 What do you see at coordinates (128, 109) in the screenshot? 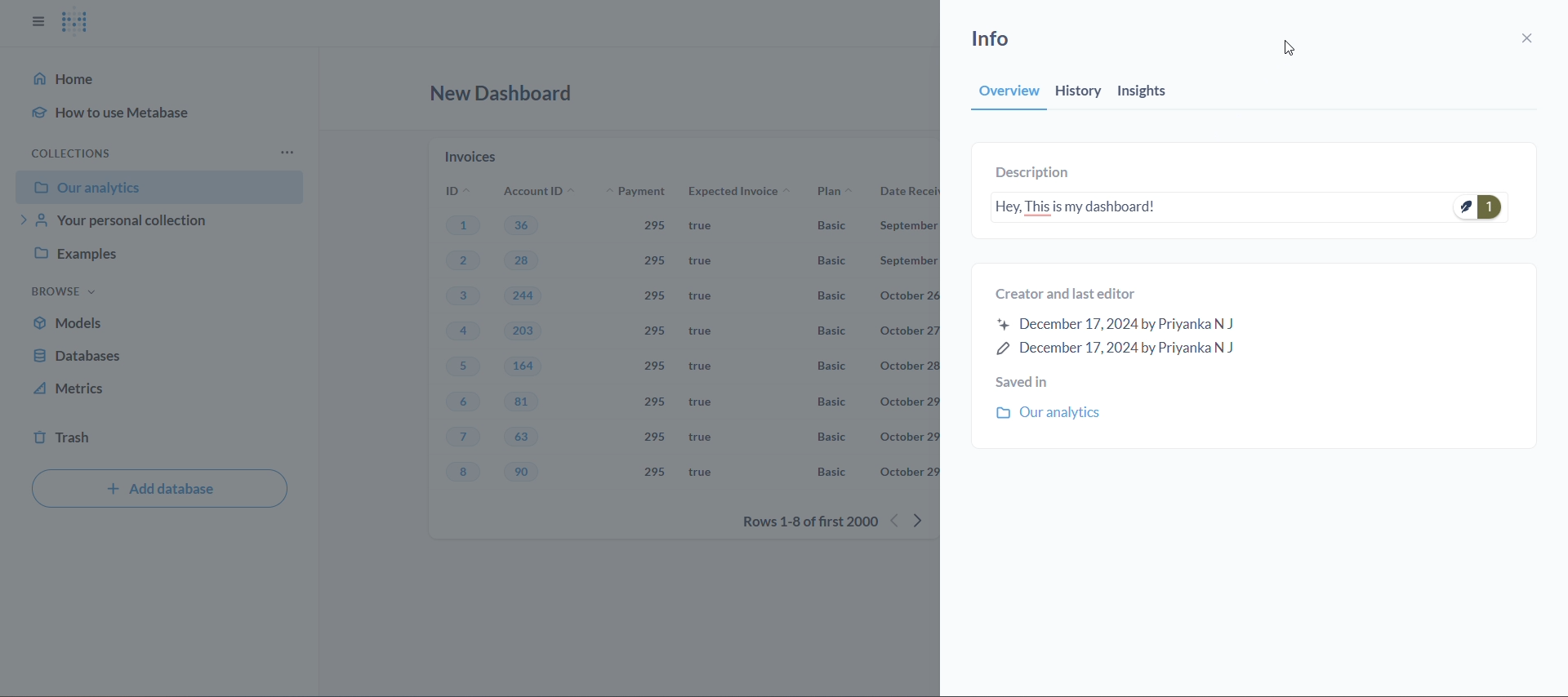
I see `how to use metabase` at bounding box center [128, 109].